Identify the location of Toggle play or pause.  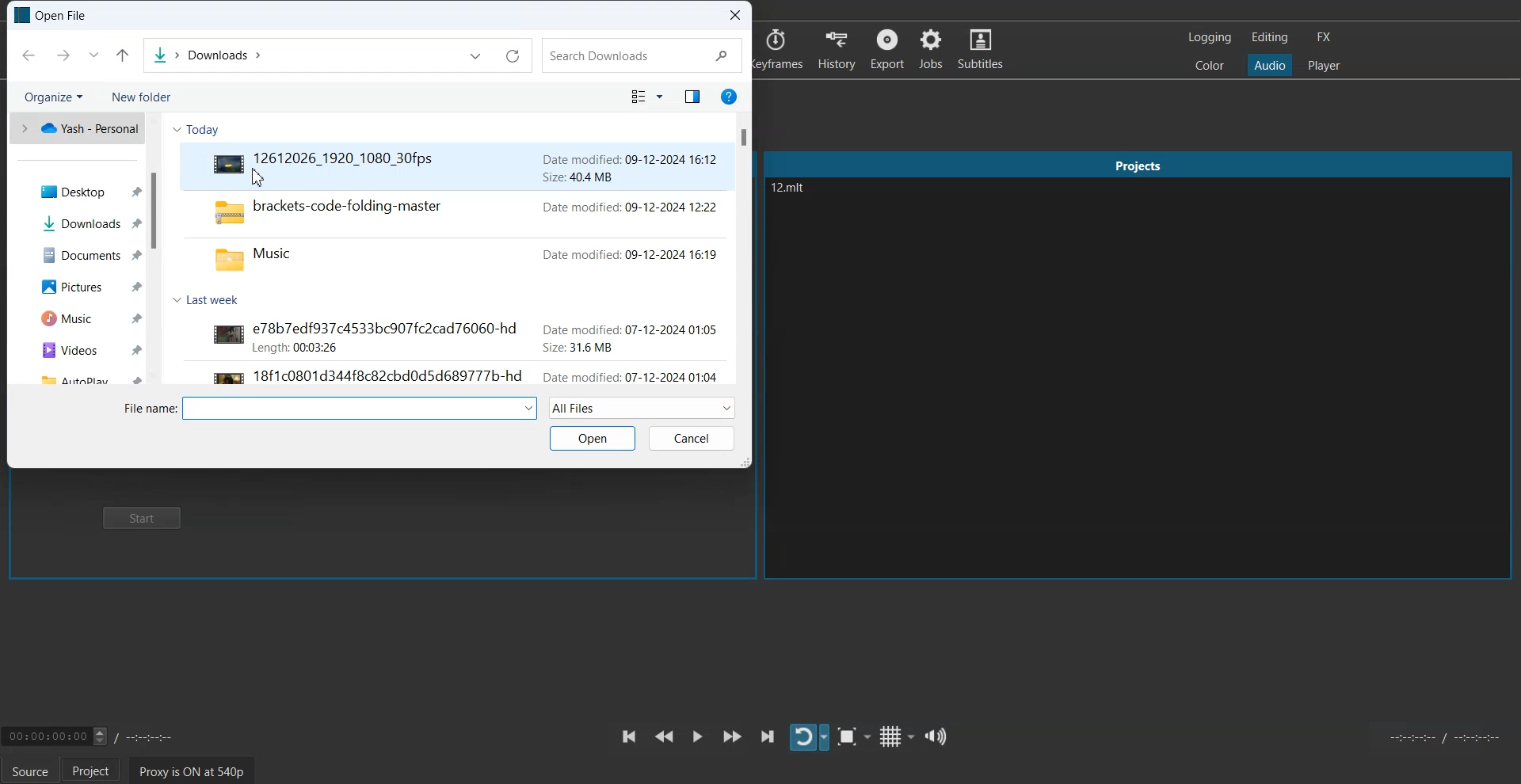
(698, 736).